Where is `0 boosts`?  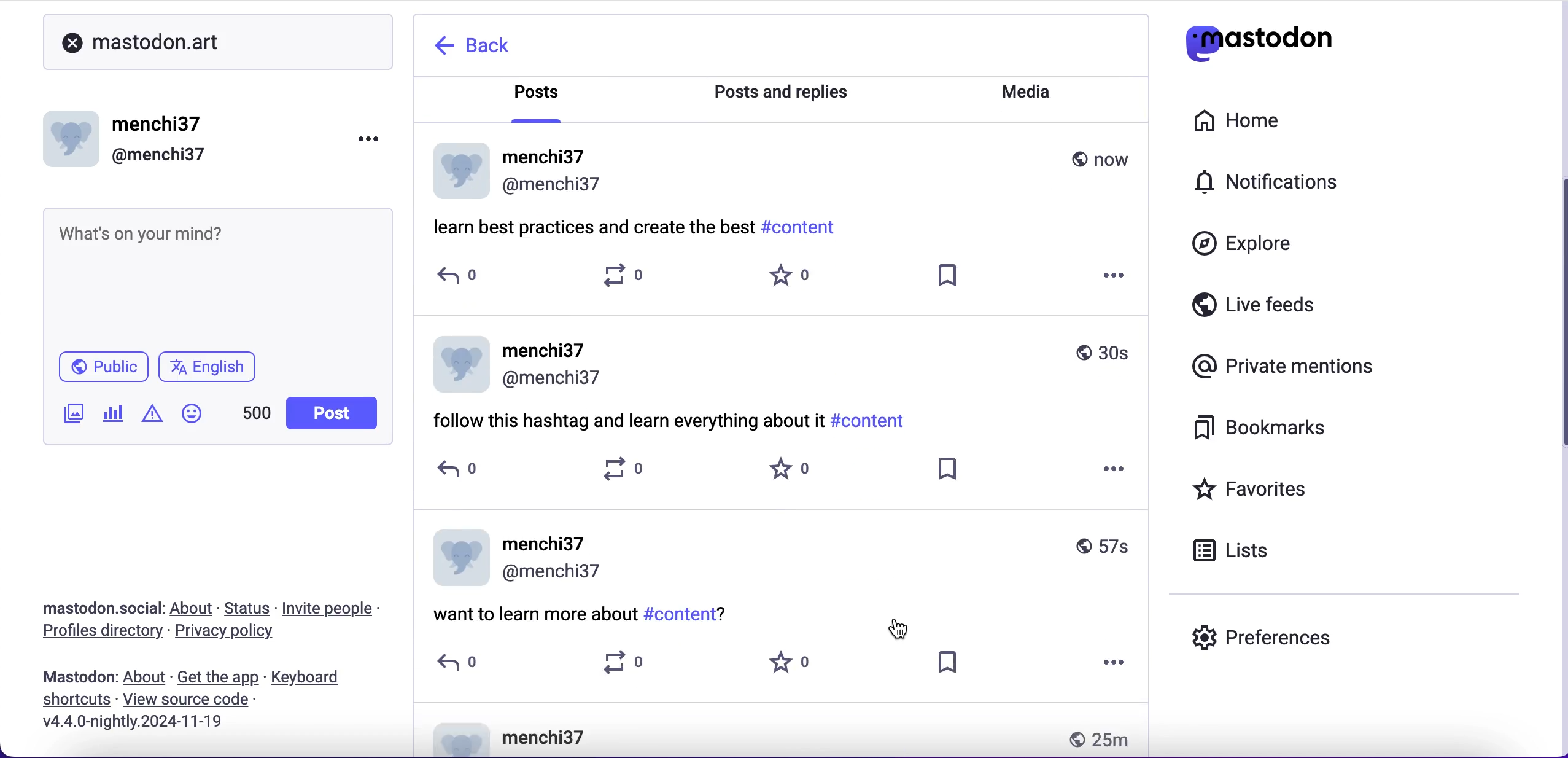
0 boosts is located at coordinates (631, 472).